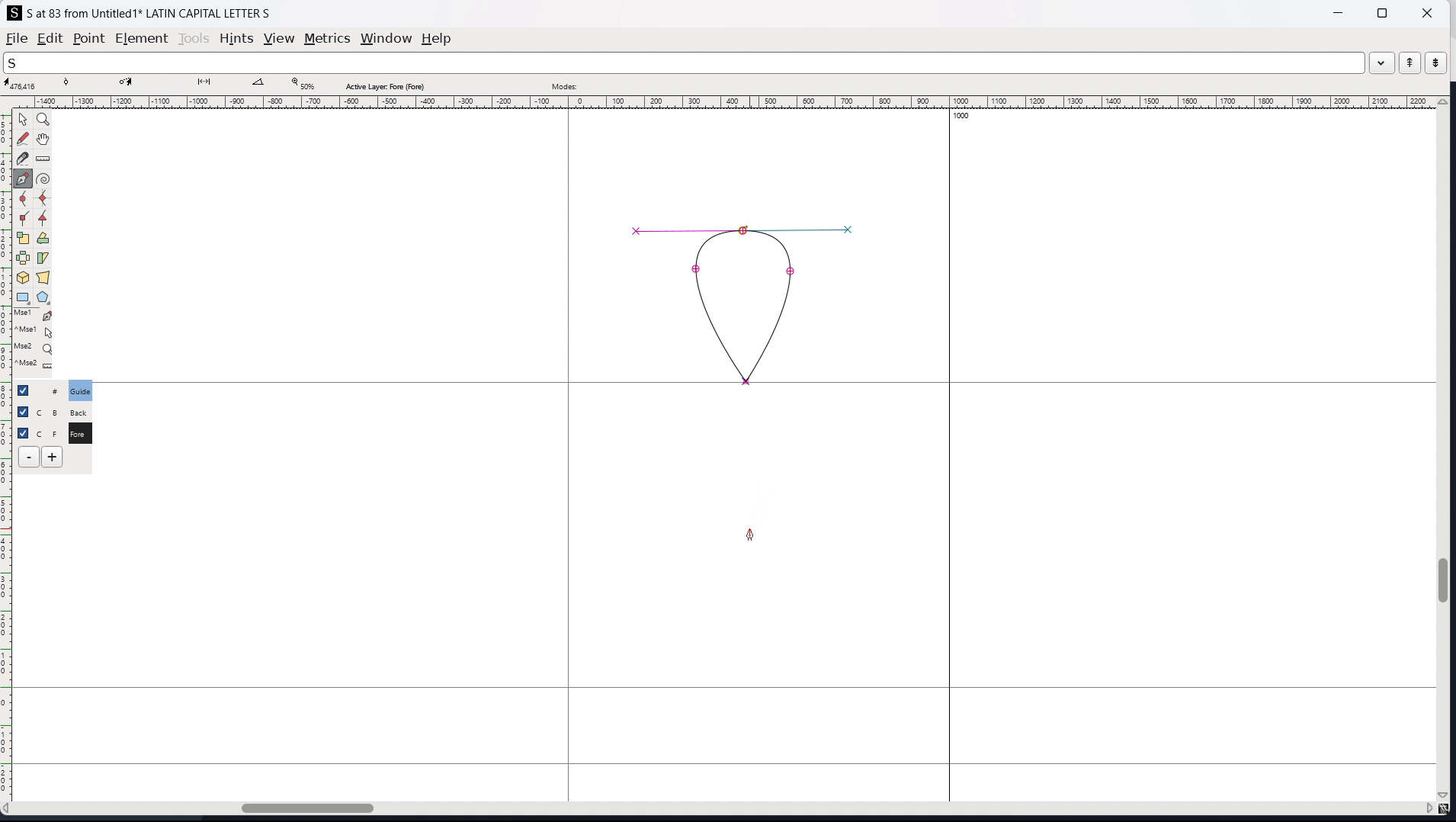  What do you see at coordinates (35, 348) in the screenshot?
I see `Mse2` at bounding box center [35, 348].